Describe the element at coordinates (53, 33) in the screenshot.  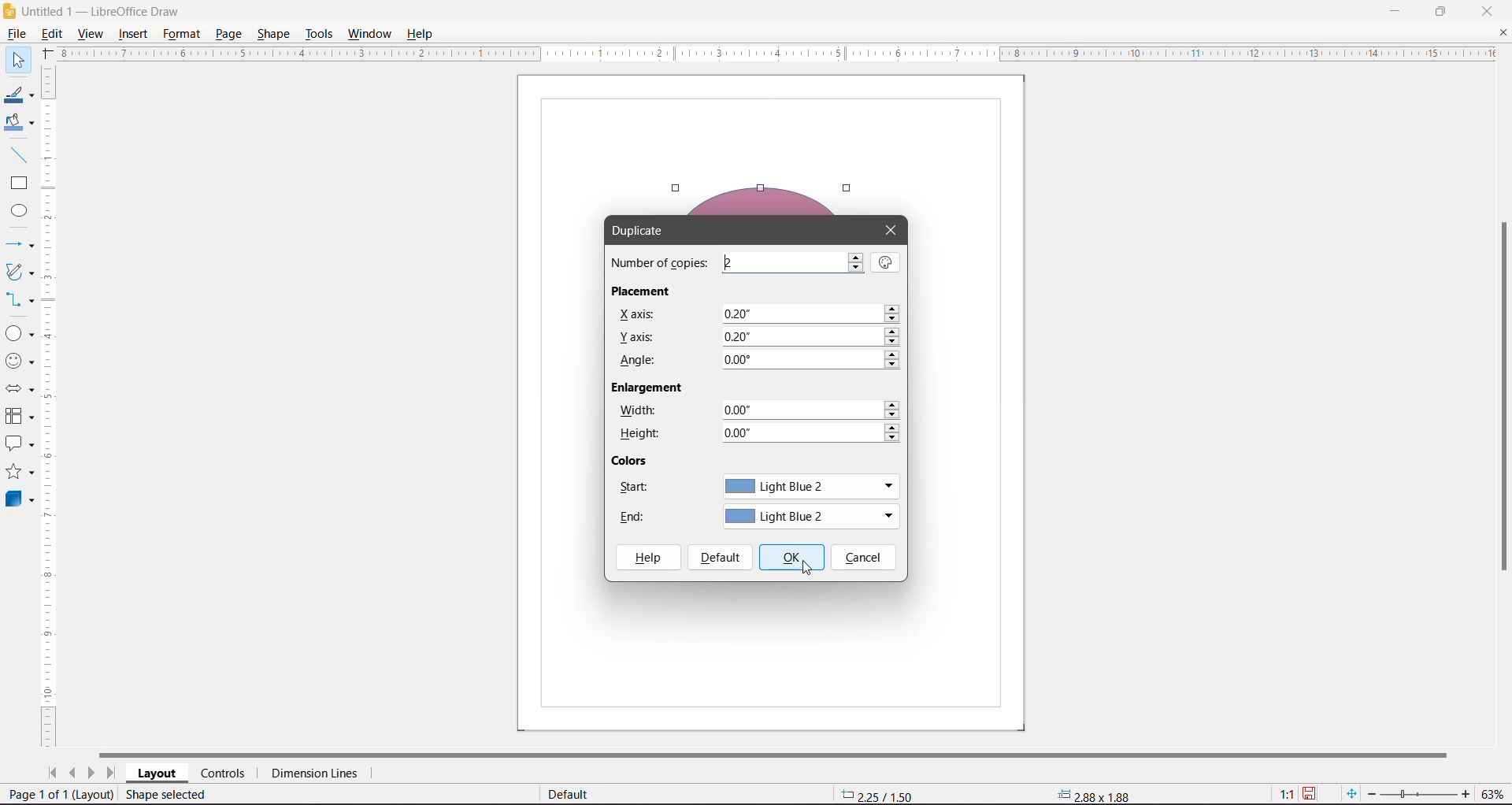
I see `Edit` at that location.